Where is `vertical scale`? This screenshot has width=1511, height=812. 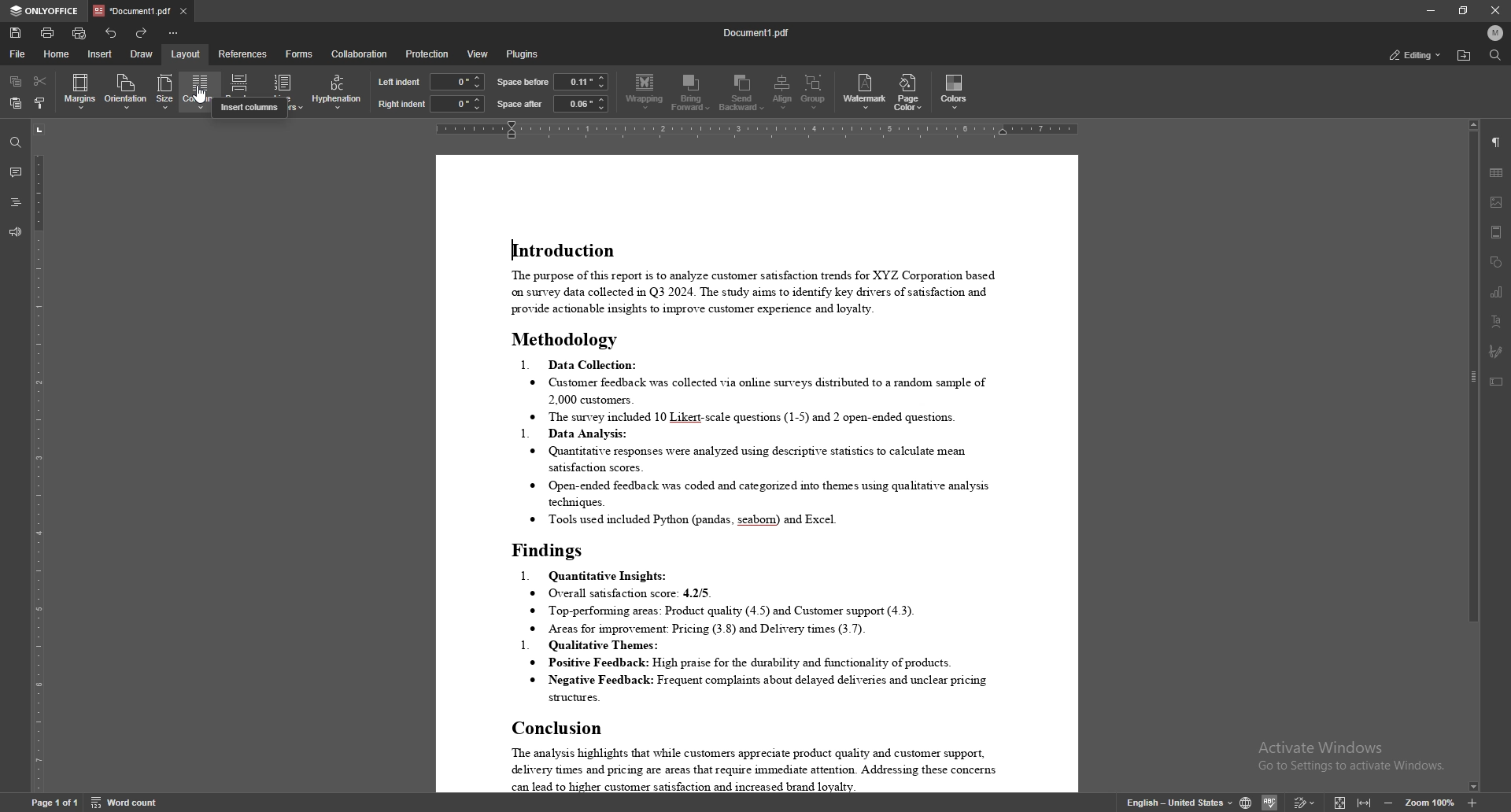
vertical scale is located at coordinates (35, 456).